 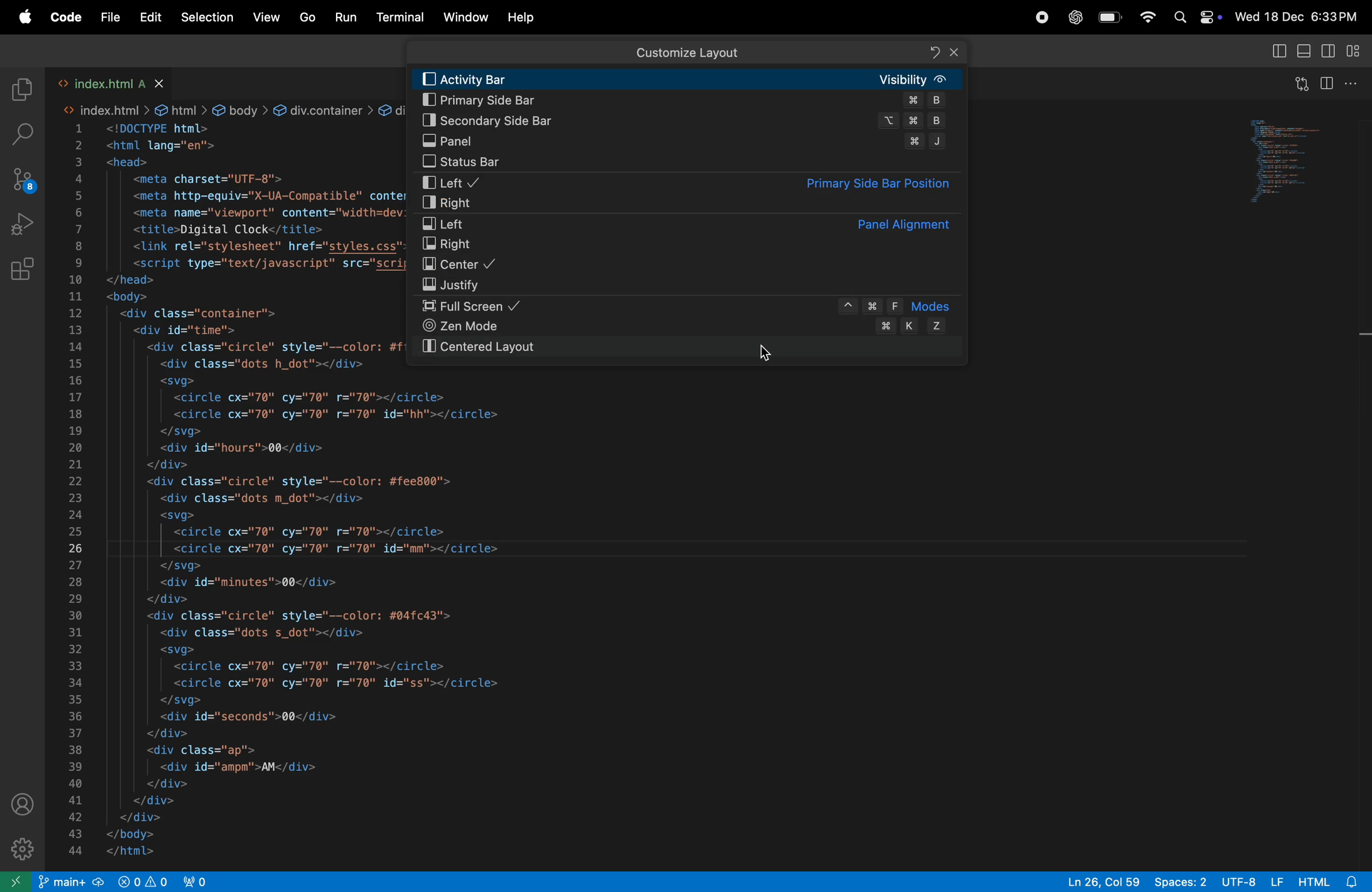 What do you see at coordinates (692, 224) in the screenshot?
I see `left` at bounding box center [692, 224].